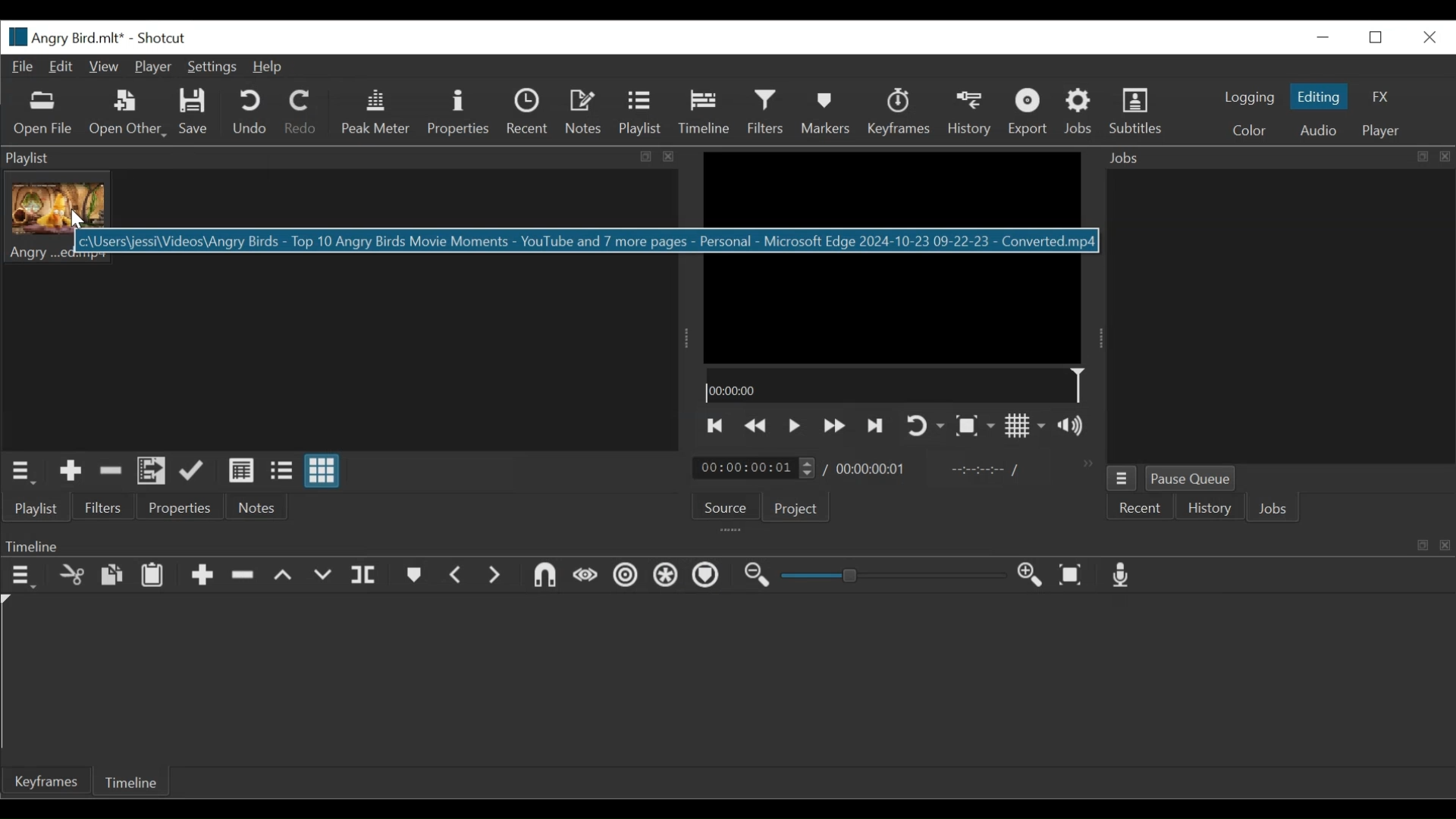  Describe the element at coordinates (767, 111) in the screenshot. I see `Filters` at that location.